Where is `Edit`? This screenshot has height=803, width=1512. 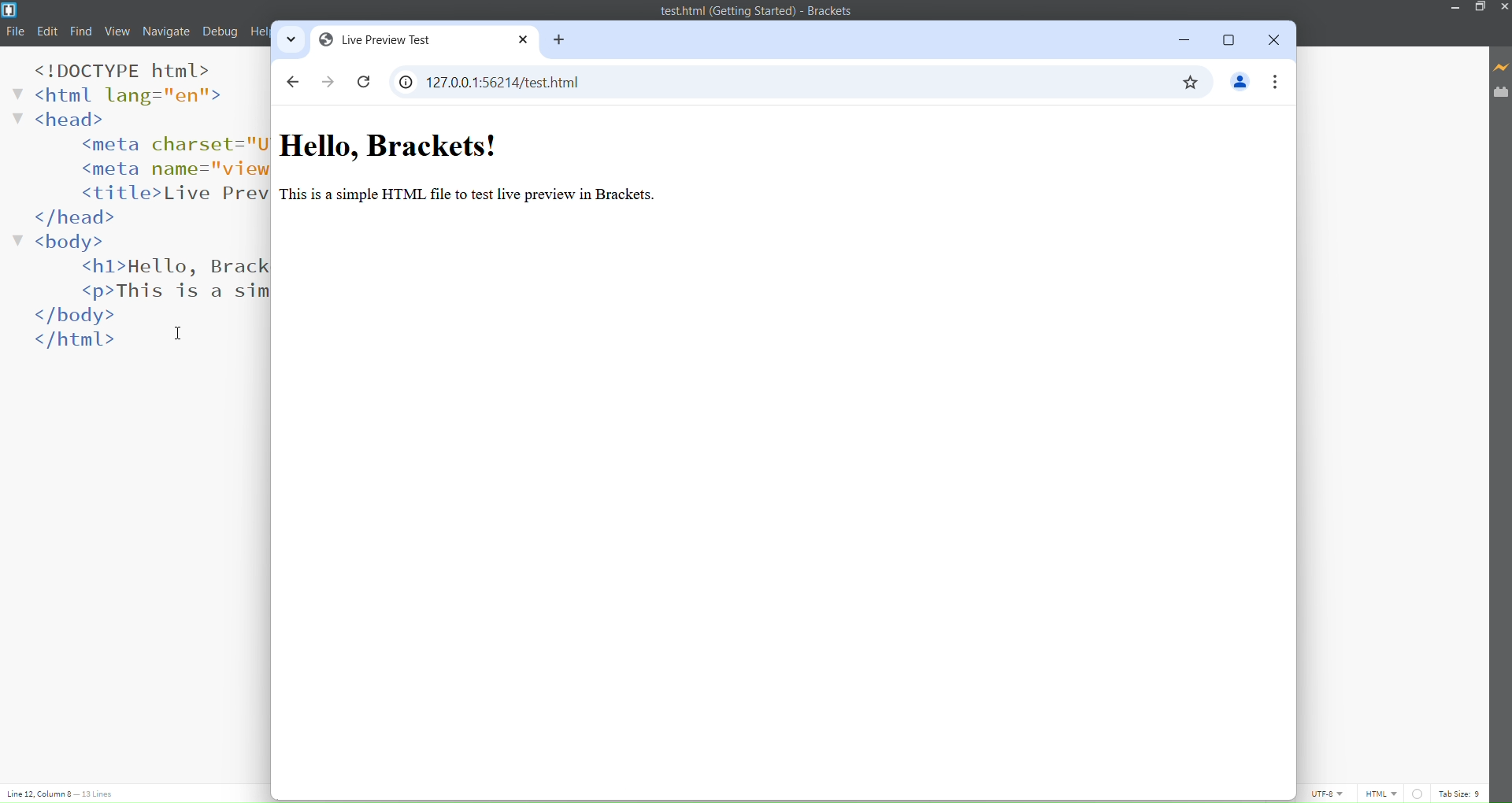
Edit is located at coordinates (48, 31).